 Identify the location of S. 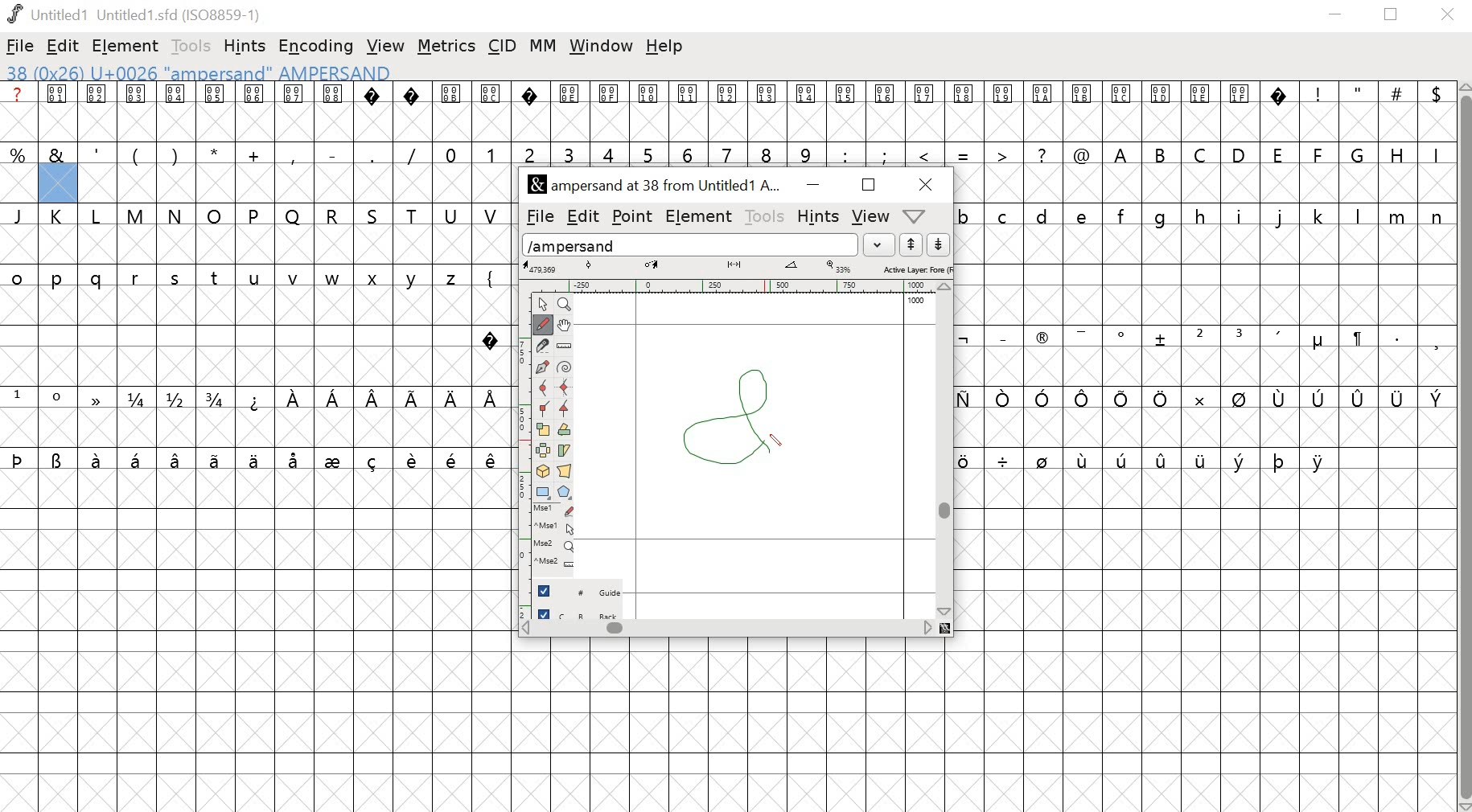
(375, 215).